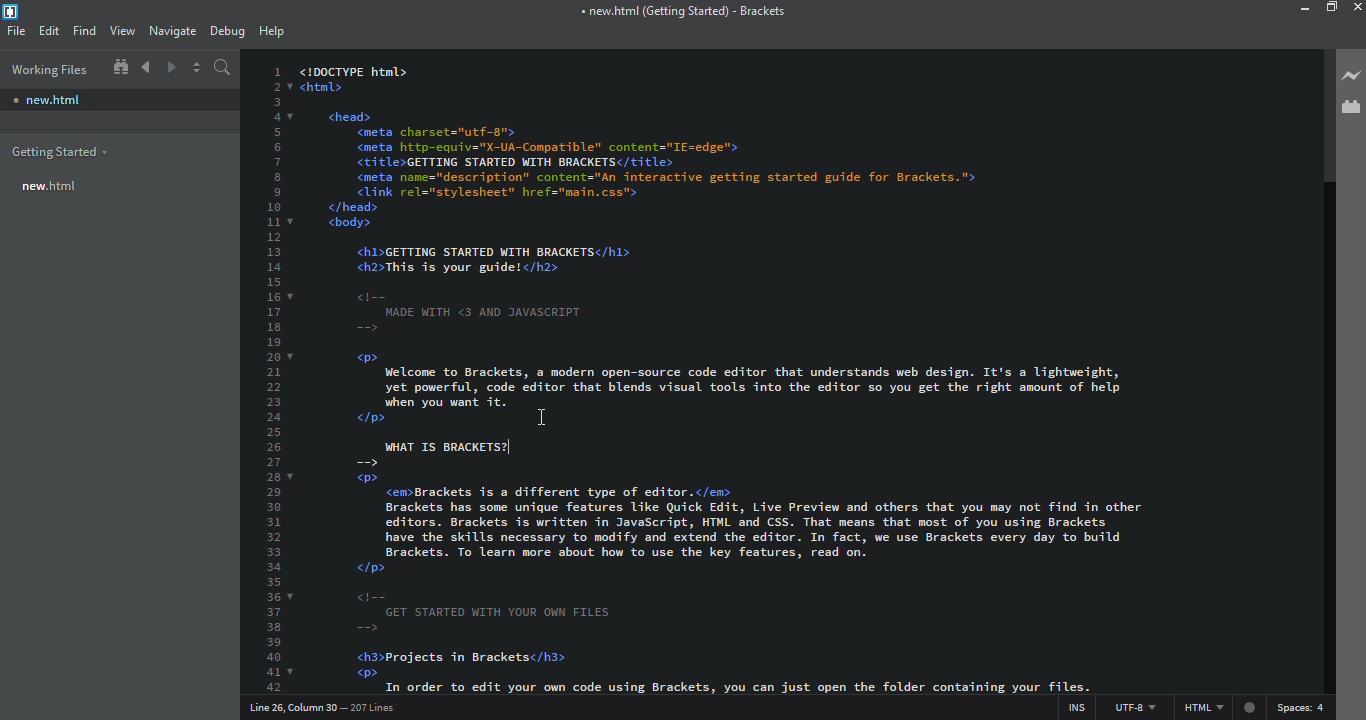  What do you see at coordinates (1134, 704) in the screenshot?
I see `utf 8` at bounding box center [1134, 704].